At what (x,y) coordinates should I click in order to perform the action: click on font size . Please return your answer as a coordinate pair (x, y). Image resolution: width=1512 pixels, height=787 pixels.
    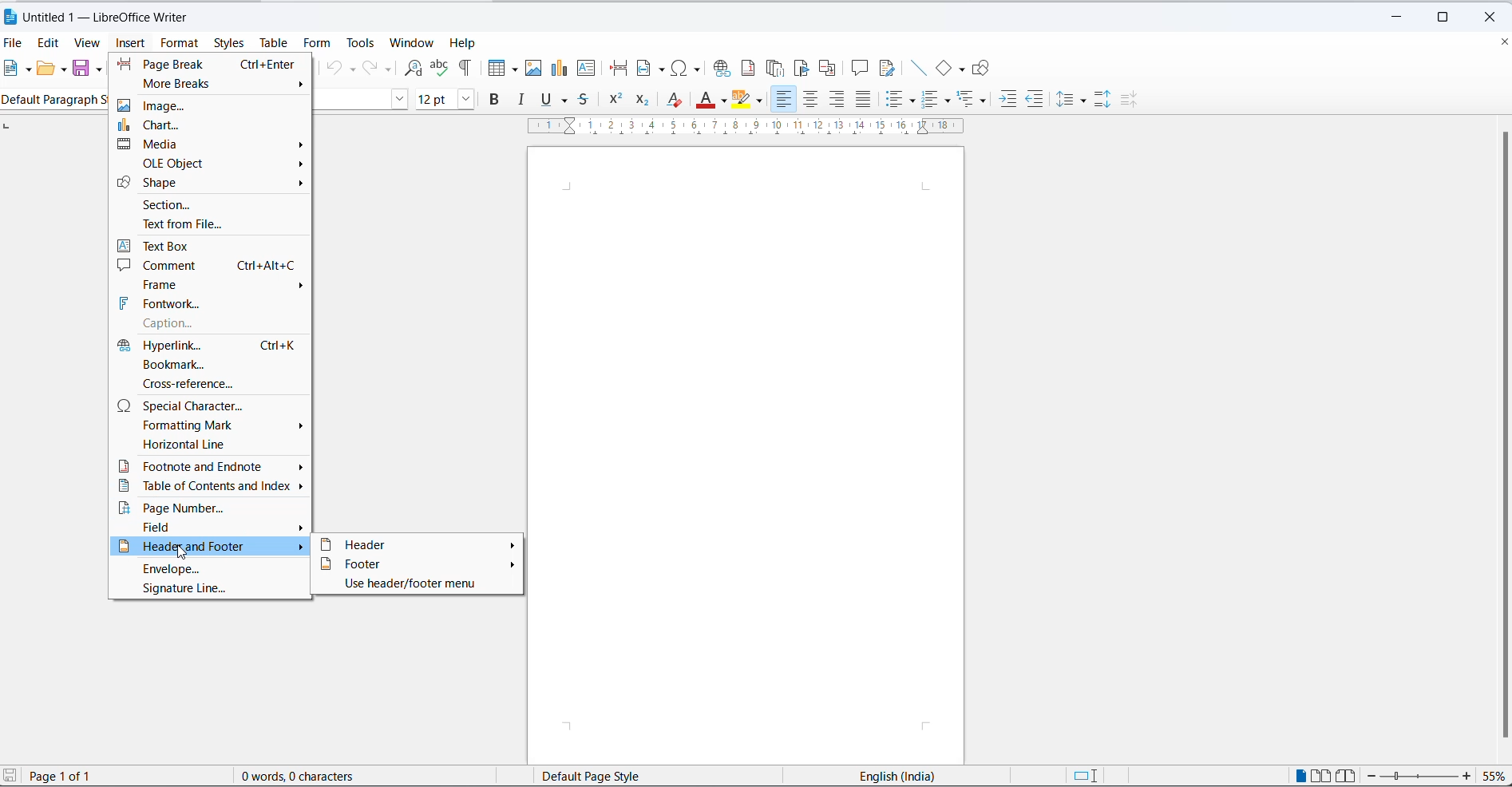
    Looking at the image, I should click on (433, 100).